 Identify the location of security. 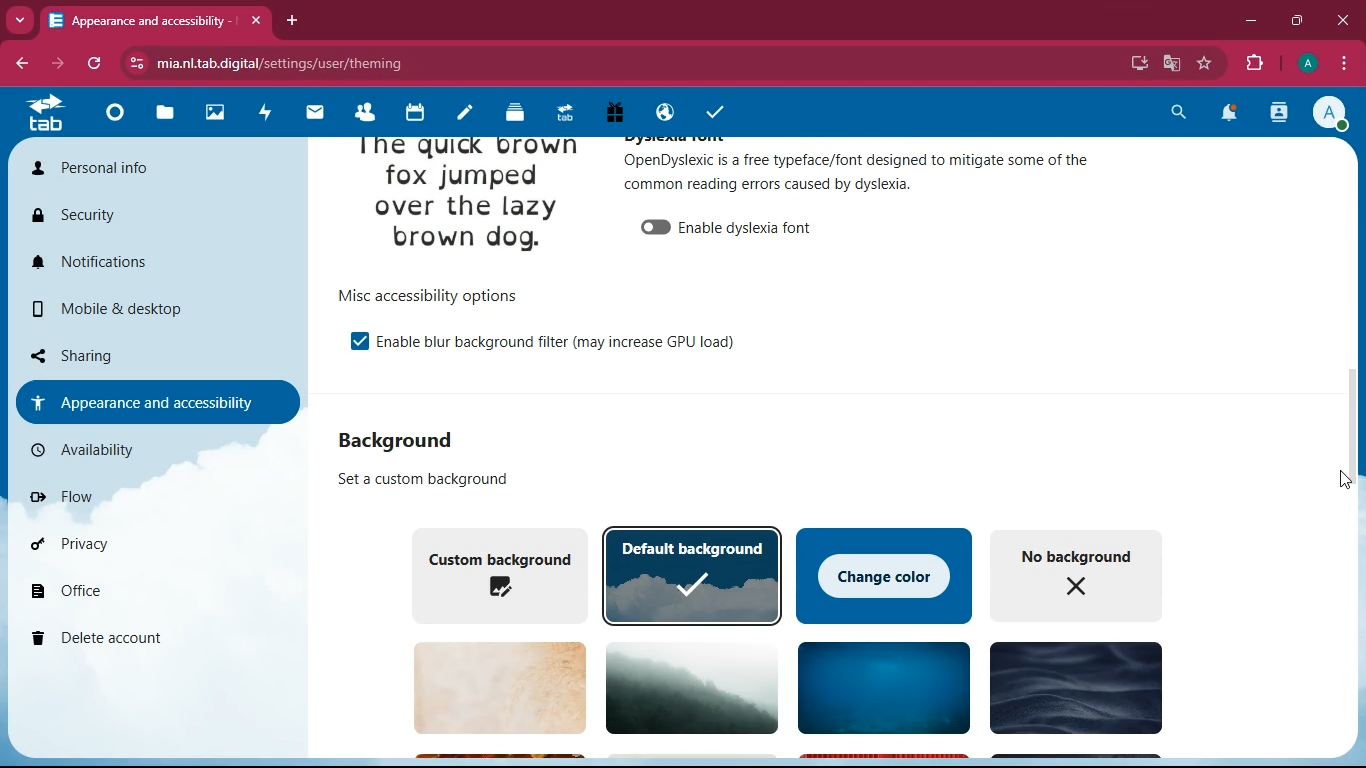
(148, 218).